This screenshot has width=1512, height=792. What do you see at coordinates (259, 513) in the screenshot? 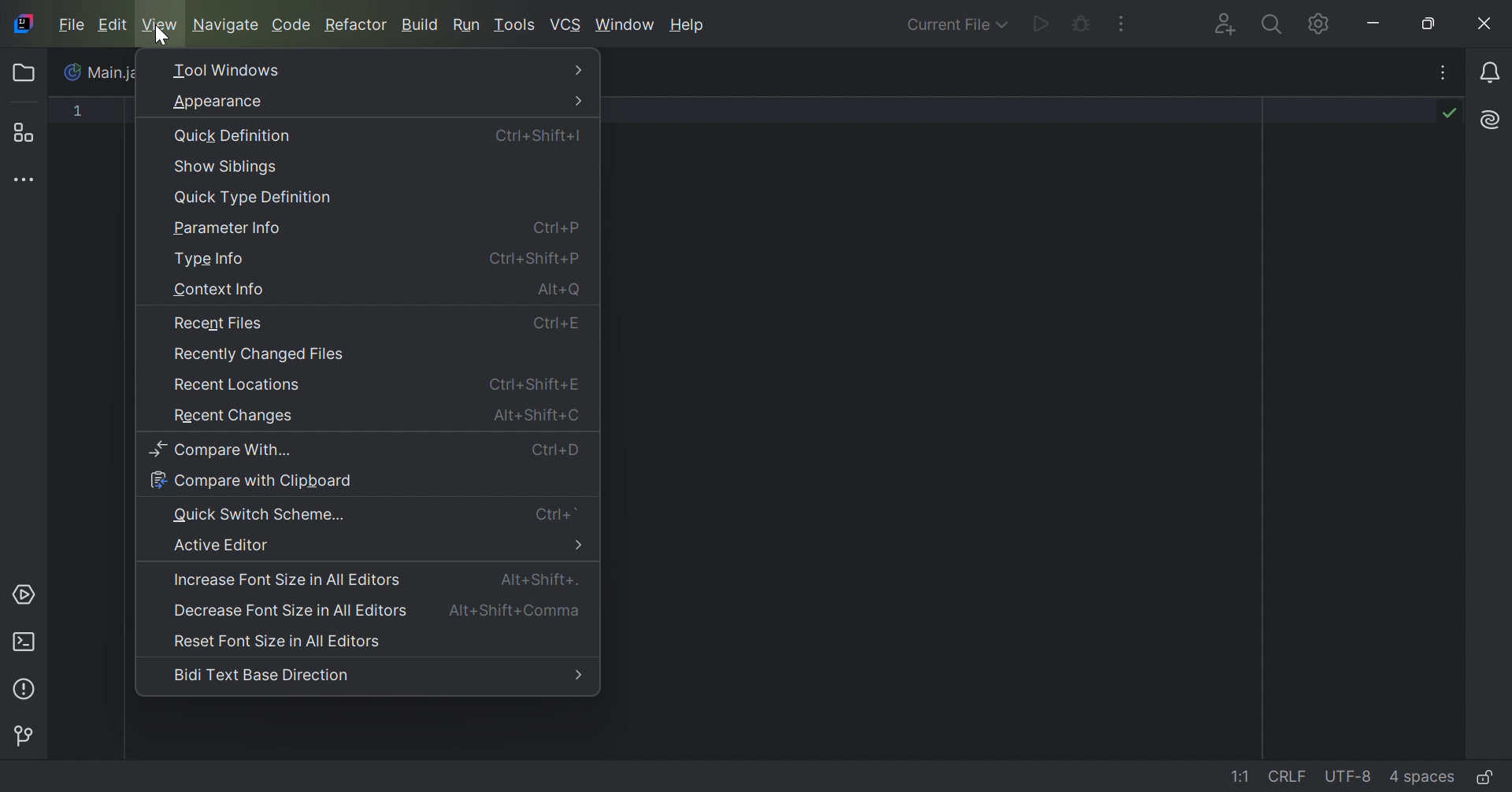
I see `Quick Switch Scheme...` at bounding box center [259, 513].